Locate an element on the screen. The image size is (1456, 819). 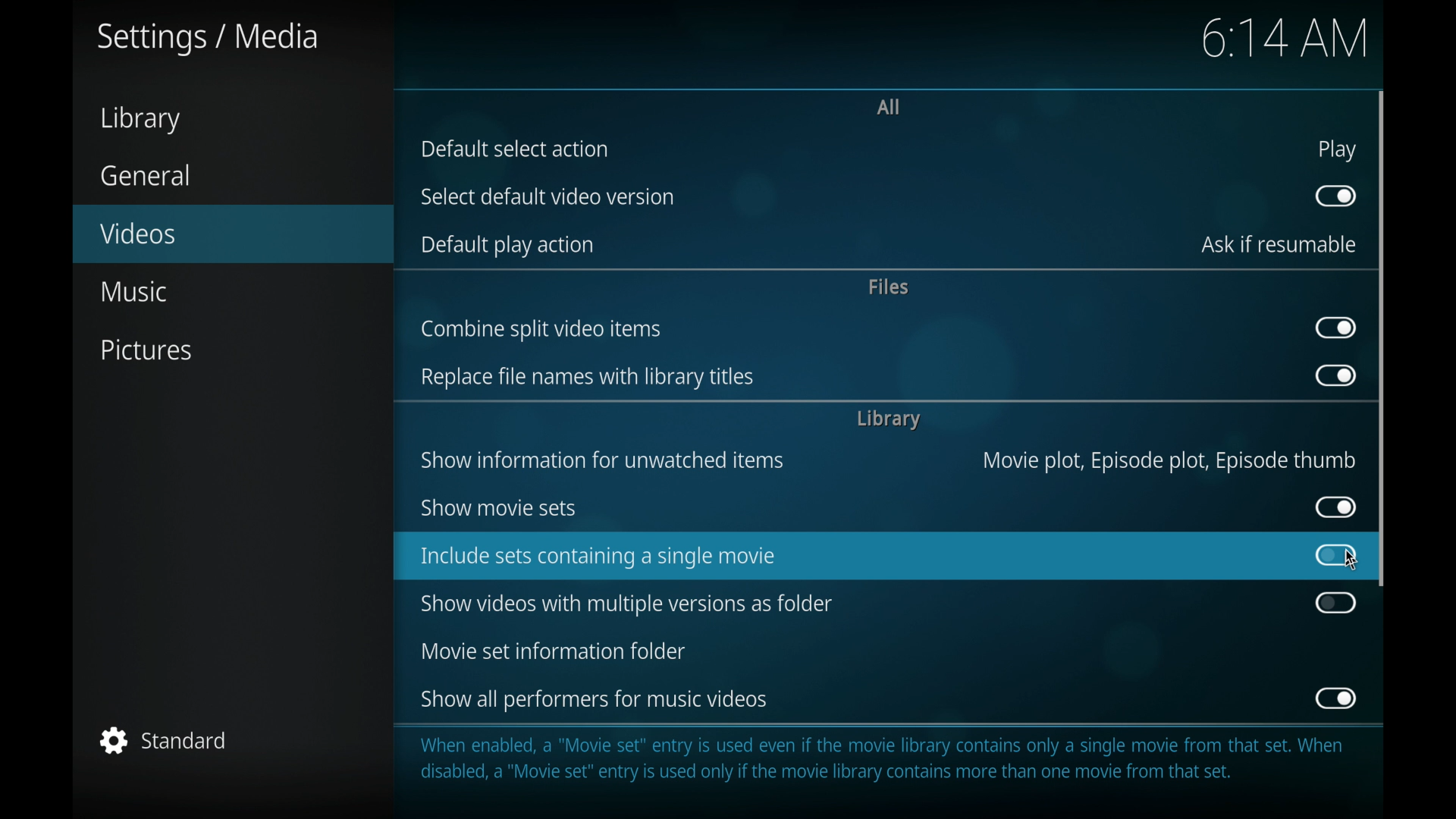
library is located at coordinates (140, 120).